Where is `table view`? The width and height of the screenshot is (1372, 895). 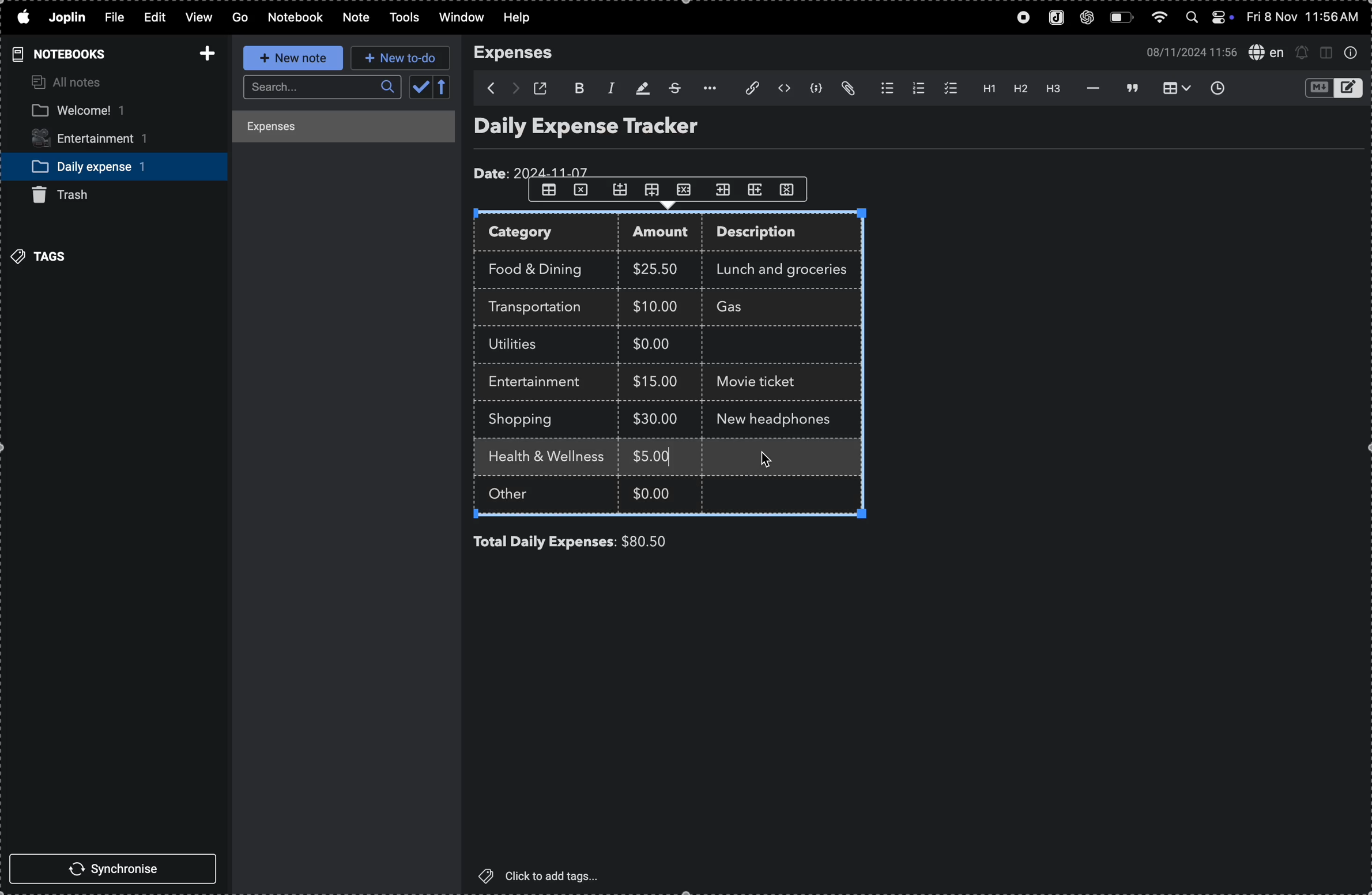
table view is located at coordinates (1171, 88).